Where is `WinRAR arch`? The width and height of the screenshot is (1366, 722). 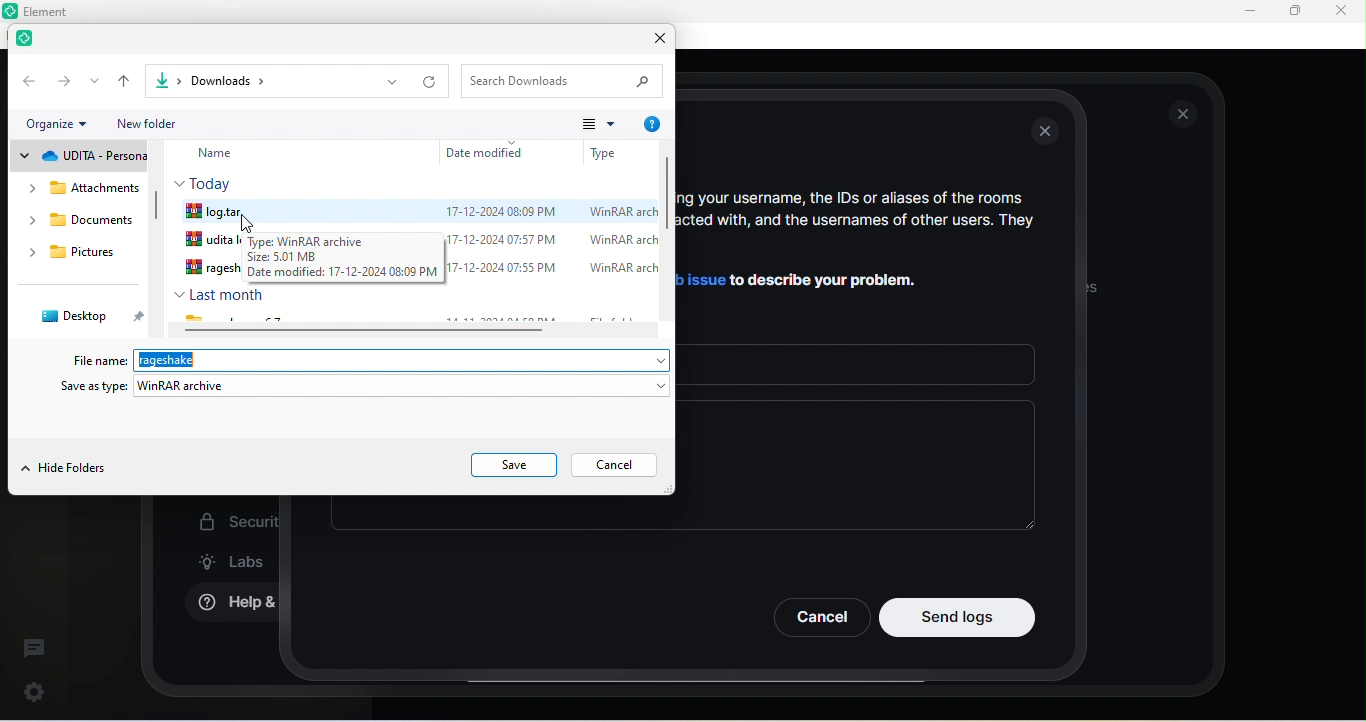 WinRAR arch is located at coordinates (621, 239).